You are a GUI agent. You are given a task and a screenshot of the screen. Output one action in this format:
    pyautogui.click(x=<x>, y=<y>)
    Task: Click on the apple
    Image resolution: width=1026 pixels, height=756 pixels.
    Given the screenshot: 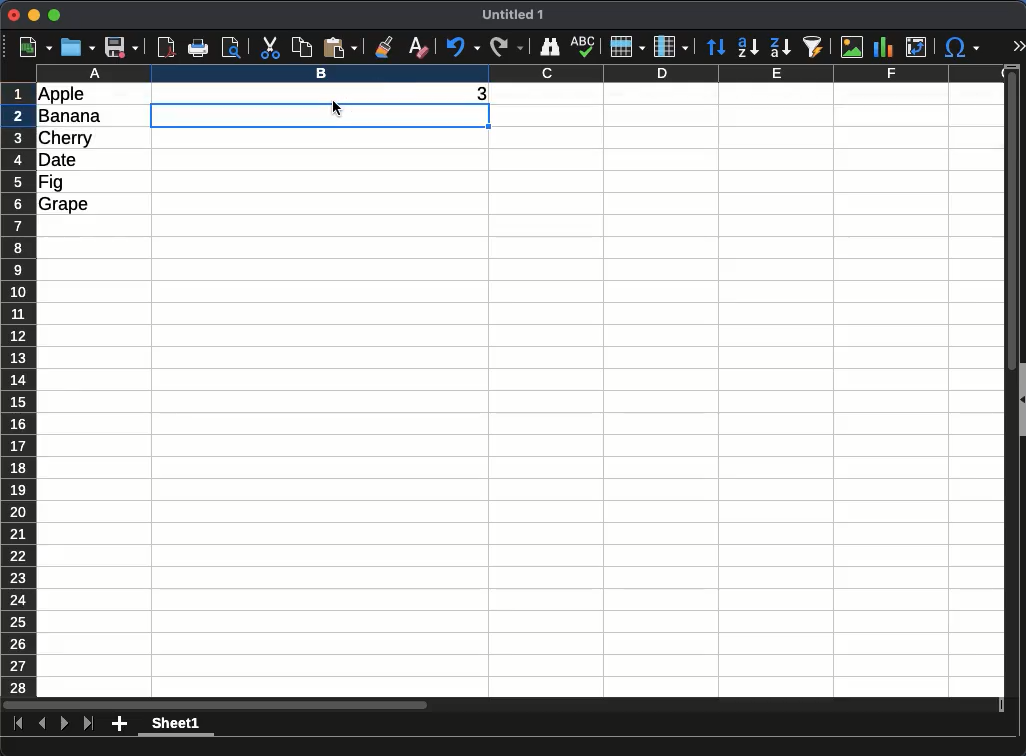 What is the action you would take?
    pyautogui.click(x=62, y=95)
    